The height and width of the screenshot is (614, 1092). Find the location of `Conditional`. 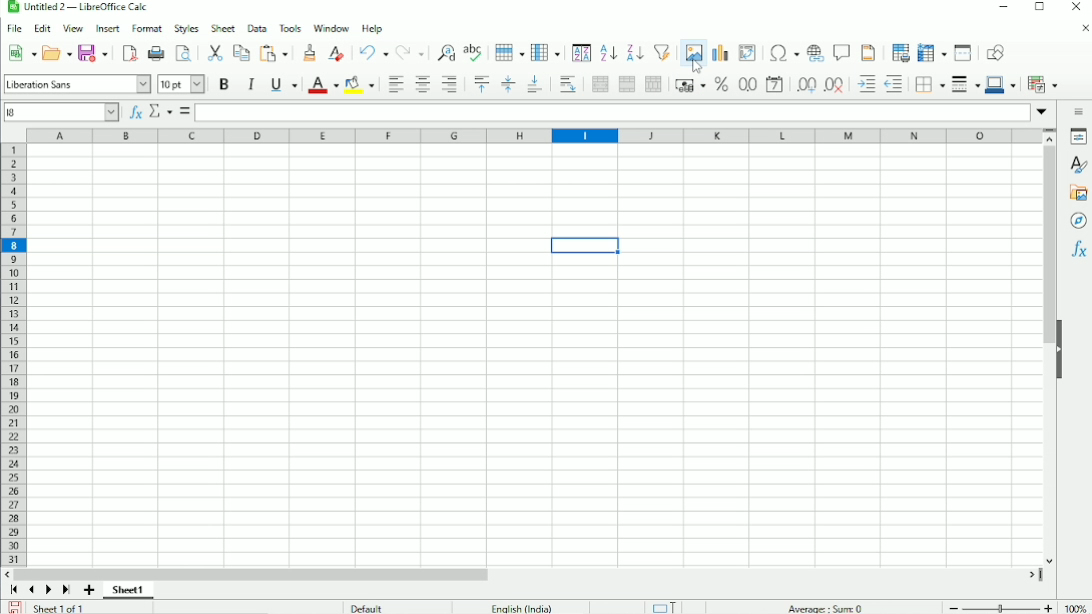

Conditional is located at coordinates (1042, 84).